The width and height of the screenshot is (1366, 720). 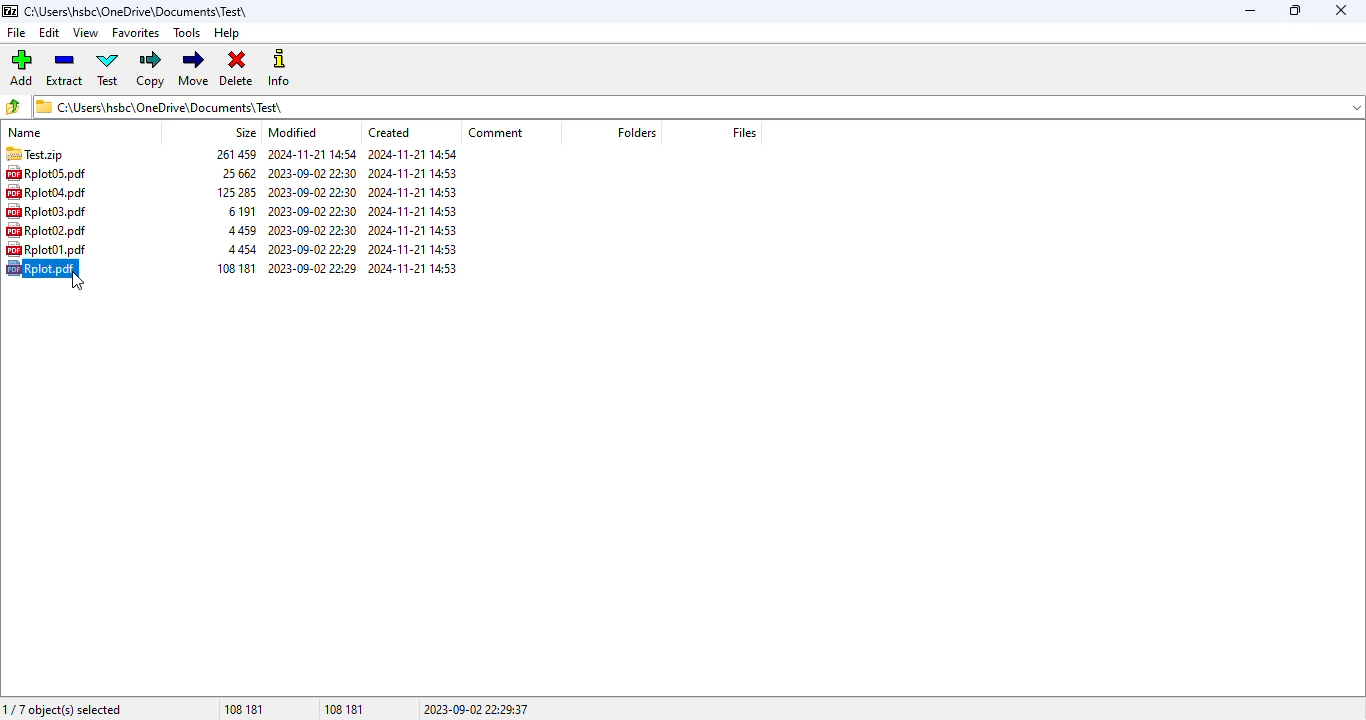 I want to click on 4454, so click(x=228, y=247).